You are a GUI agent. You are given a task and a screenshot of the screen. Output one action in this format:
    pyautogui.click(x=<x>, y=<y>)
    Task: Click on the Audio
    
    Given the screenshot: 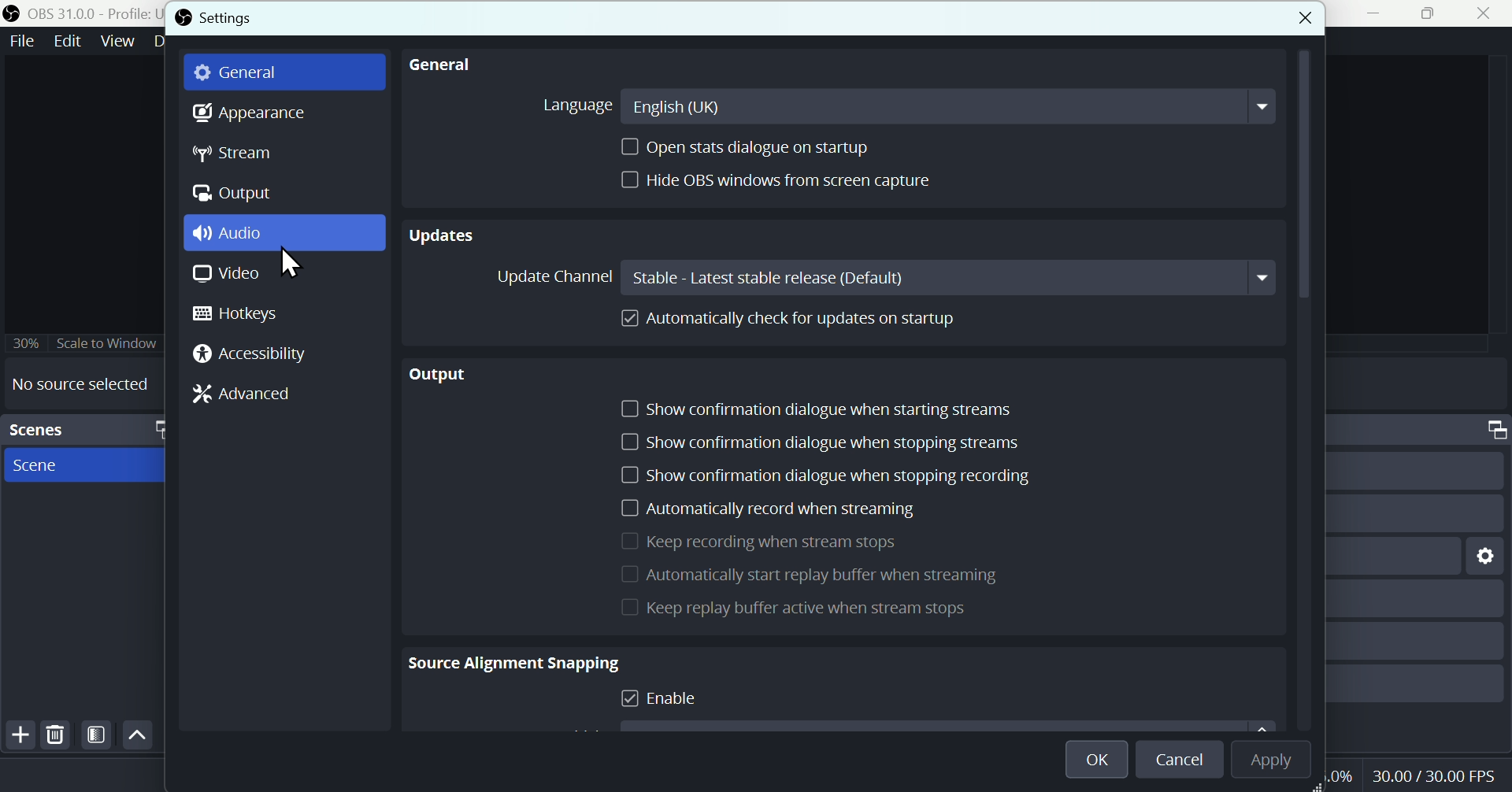 What is the action you would take?
    pyautogui.click(x=283, y=231)
    